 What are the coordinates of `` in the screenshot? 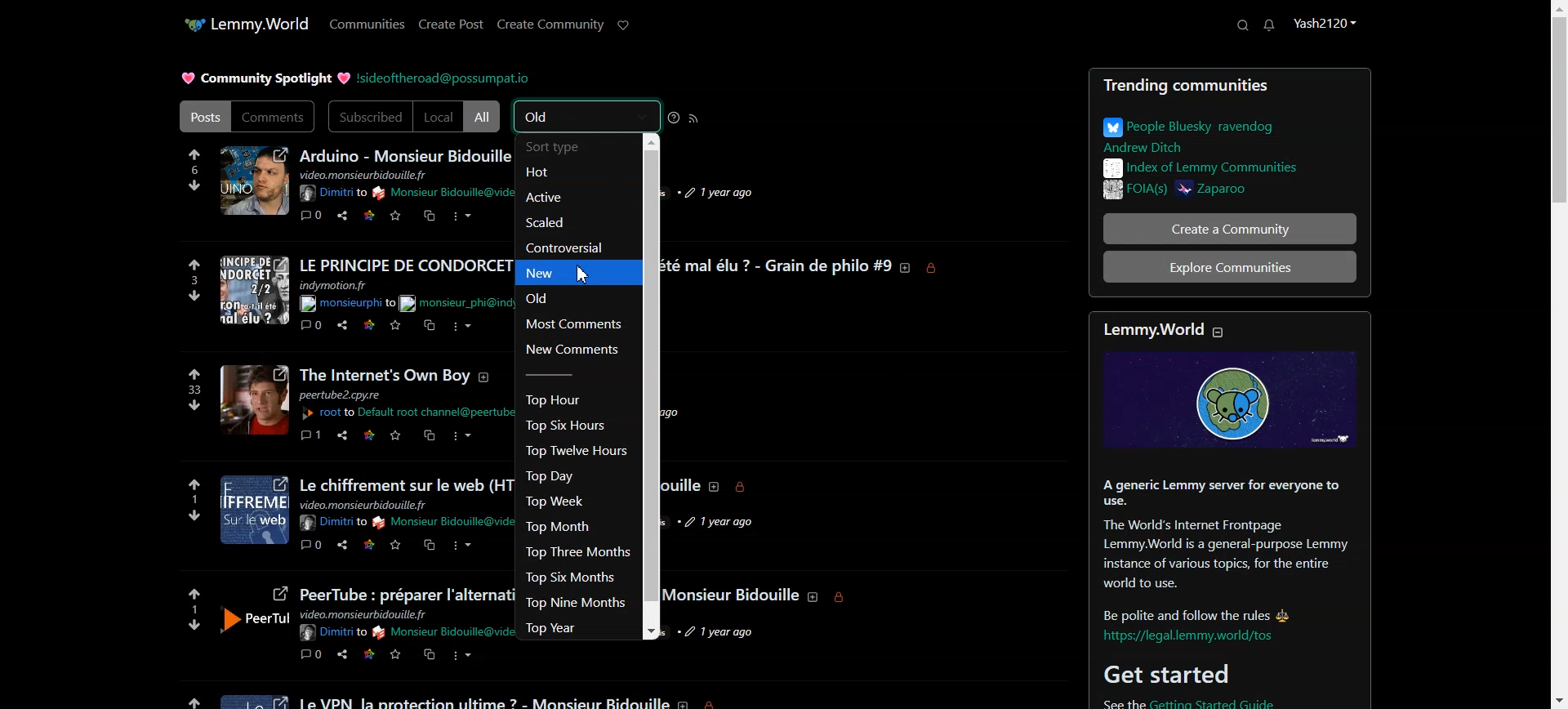 It's located at (463, 547).